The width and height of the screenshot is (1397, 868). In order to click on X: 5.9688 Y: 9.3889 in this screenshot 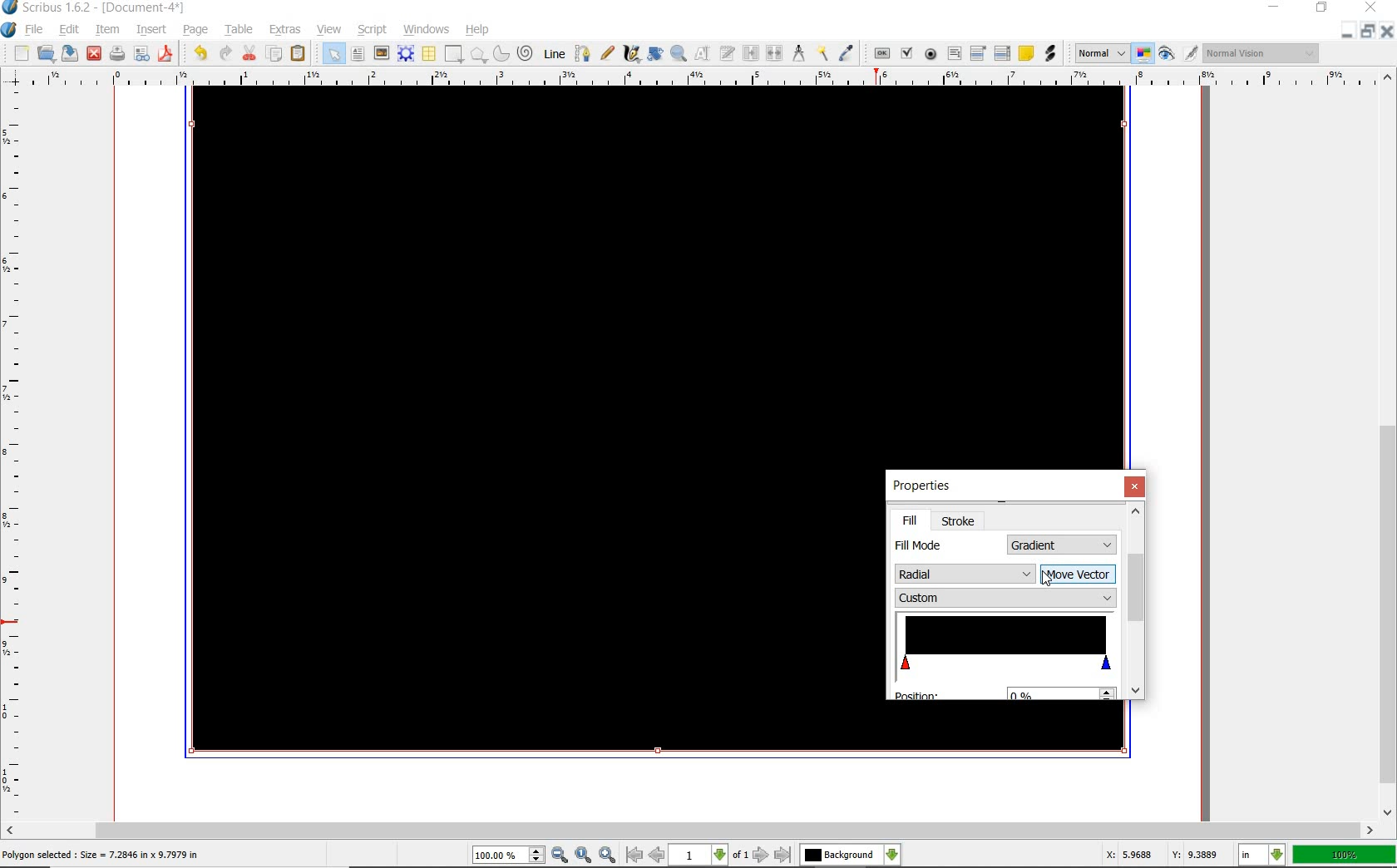, I will do `click(1159, 854)`.